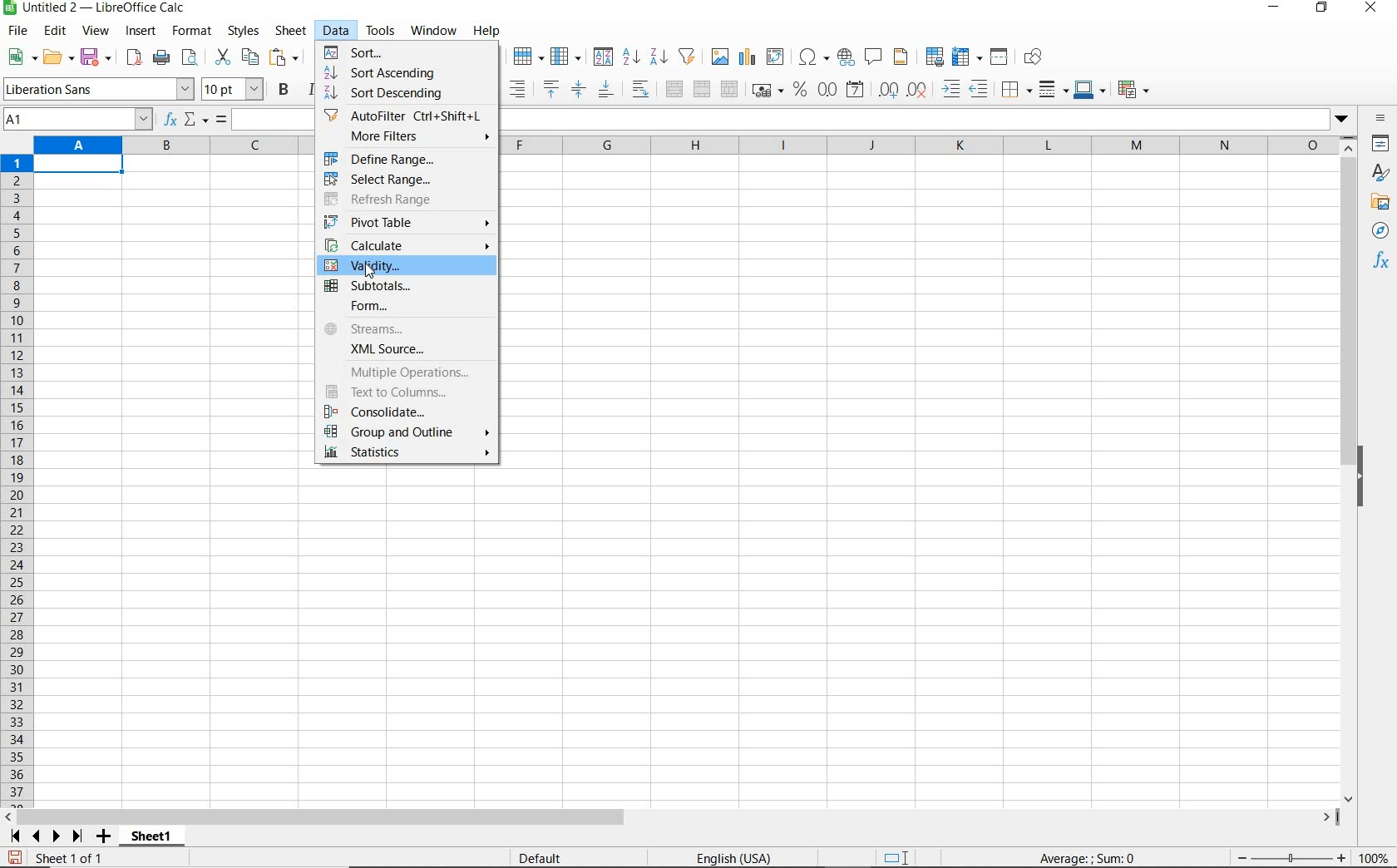  I want to click on toggle print preview, so click(192, 59).